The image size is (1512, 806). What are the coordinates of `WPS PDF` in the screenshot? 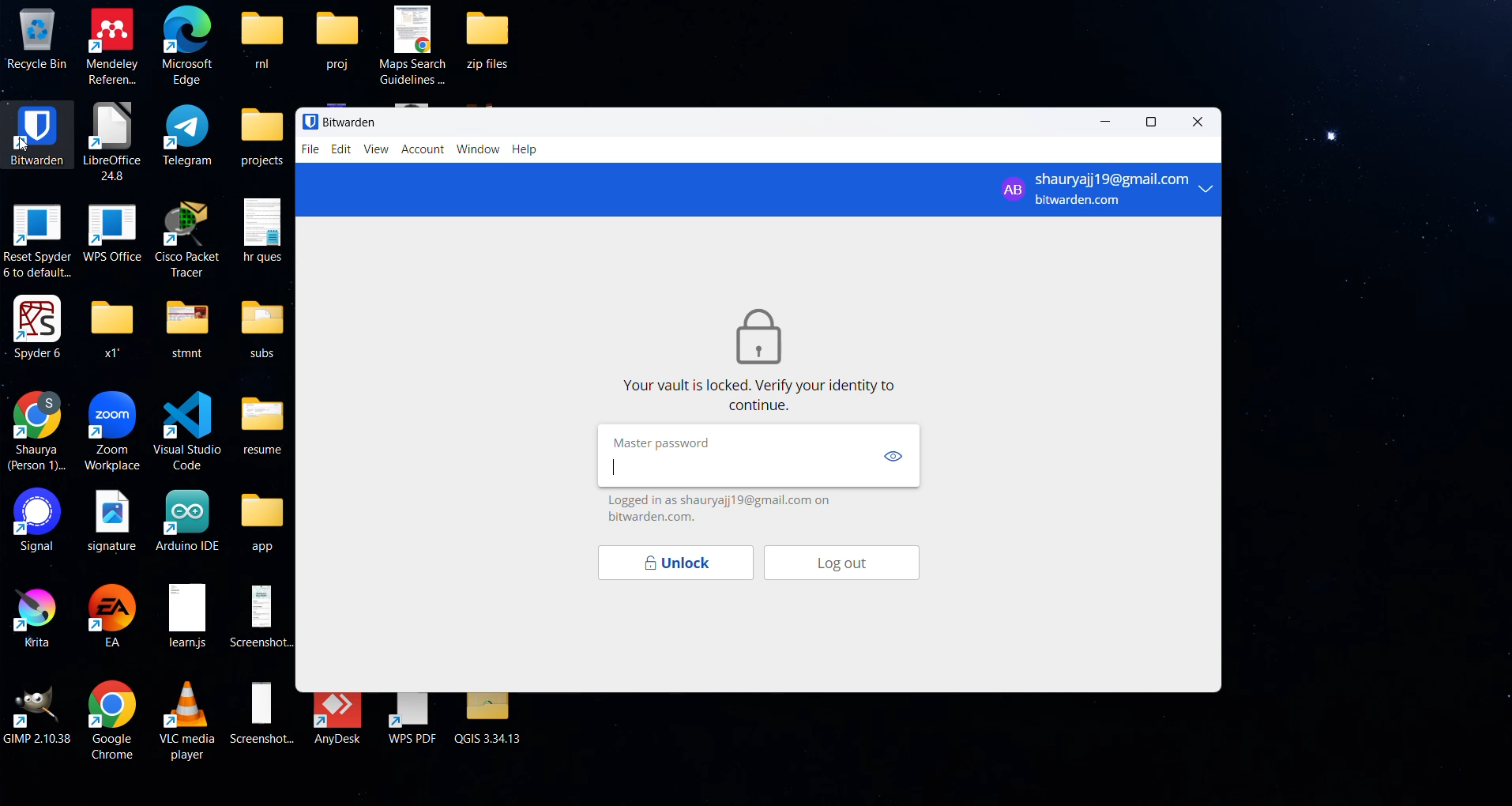 It's located at (412, 720).